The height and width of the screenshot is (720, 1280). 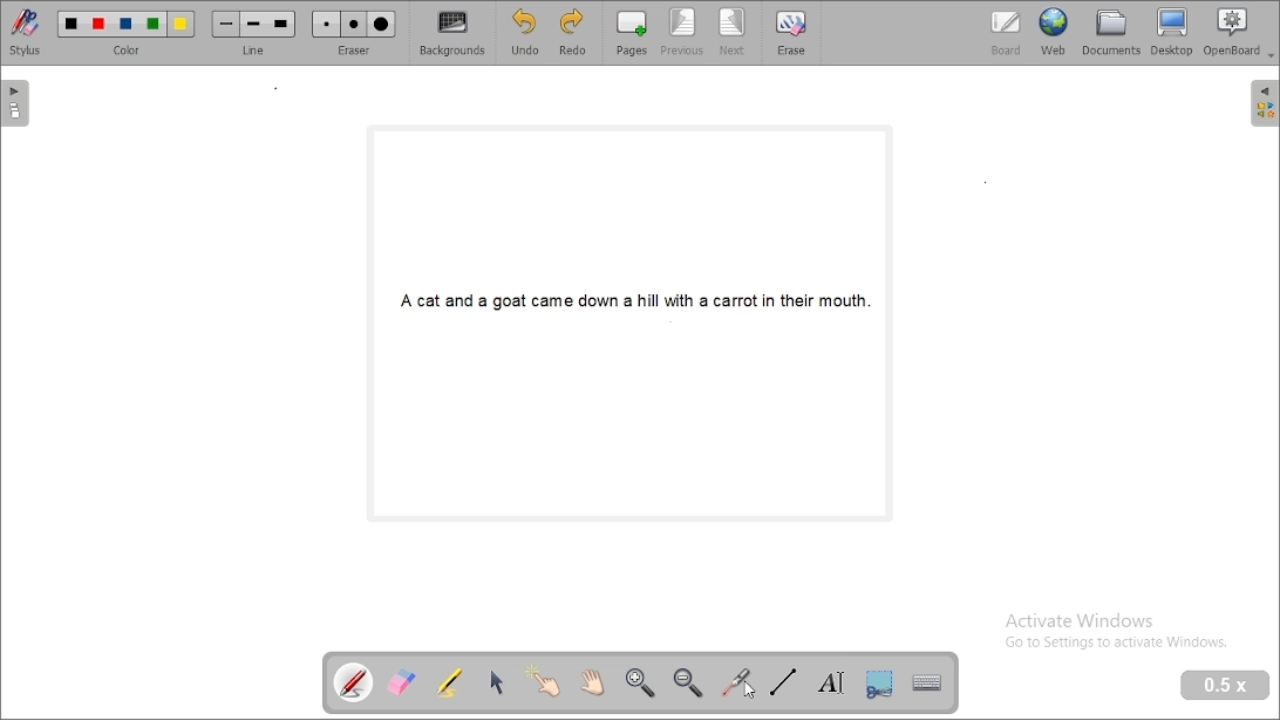 I want to click on write text, so click(x=830, y=682).